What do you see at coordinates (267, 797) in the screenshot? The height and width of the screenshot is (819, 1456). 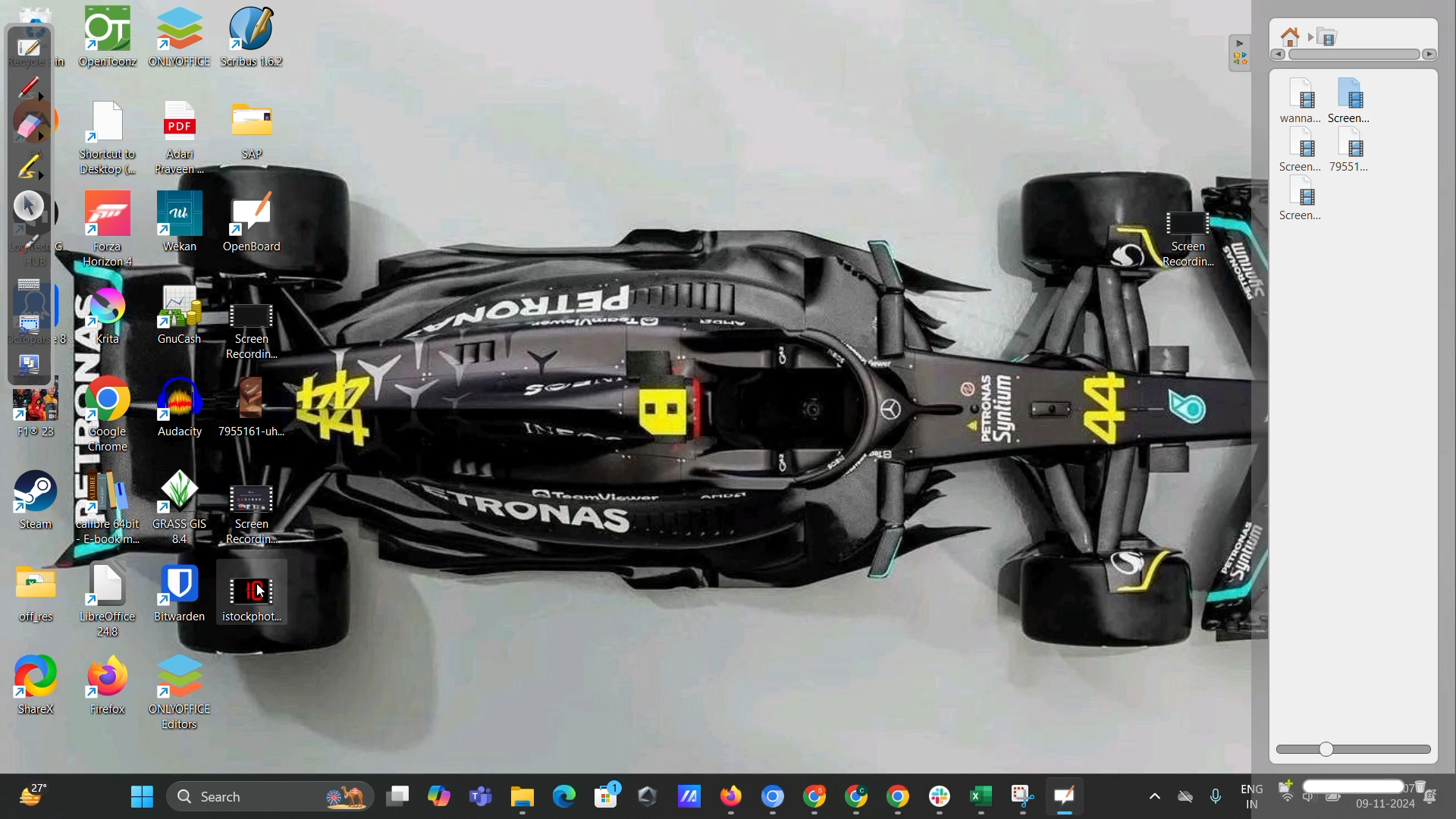 I see `desktop search` at bounding box center [267, 797].